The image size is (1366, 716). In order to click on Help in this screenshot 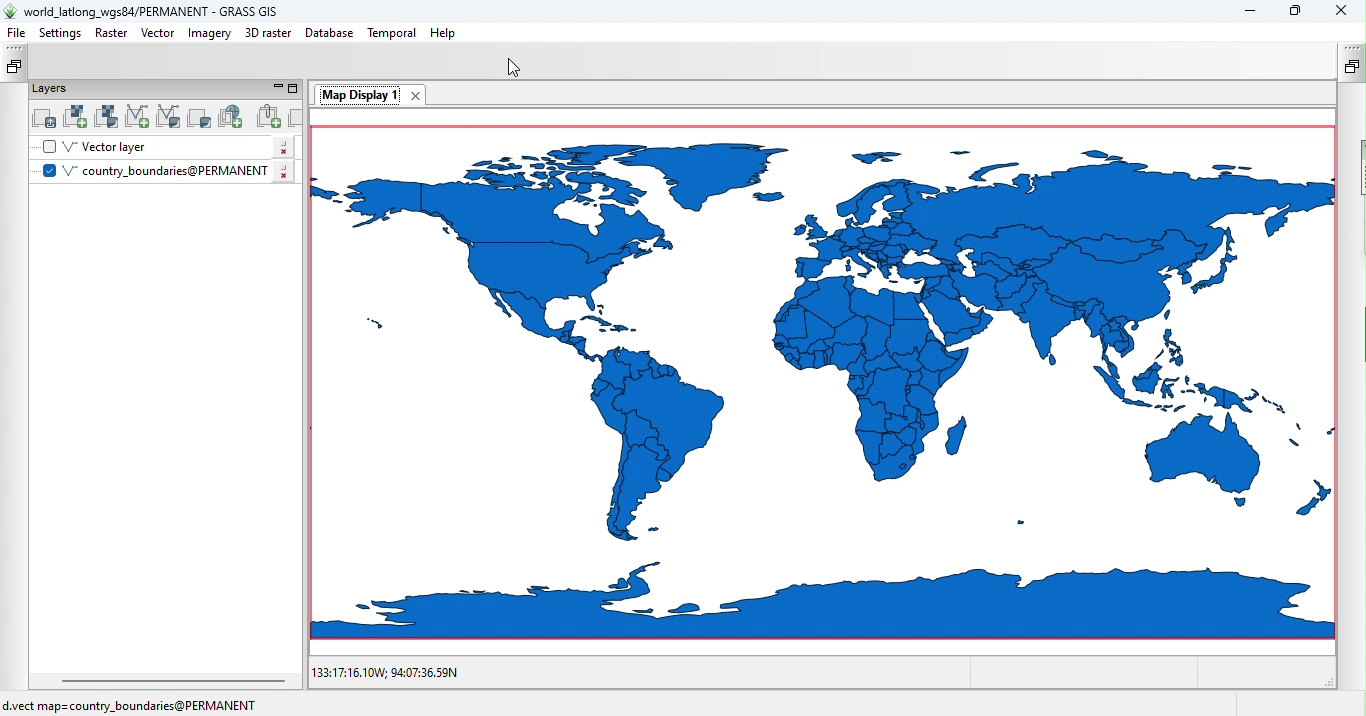, I will do `click(445, 35)`.